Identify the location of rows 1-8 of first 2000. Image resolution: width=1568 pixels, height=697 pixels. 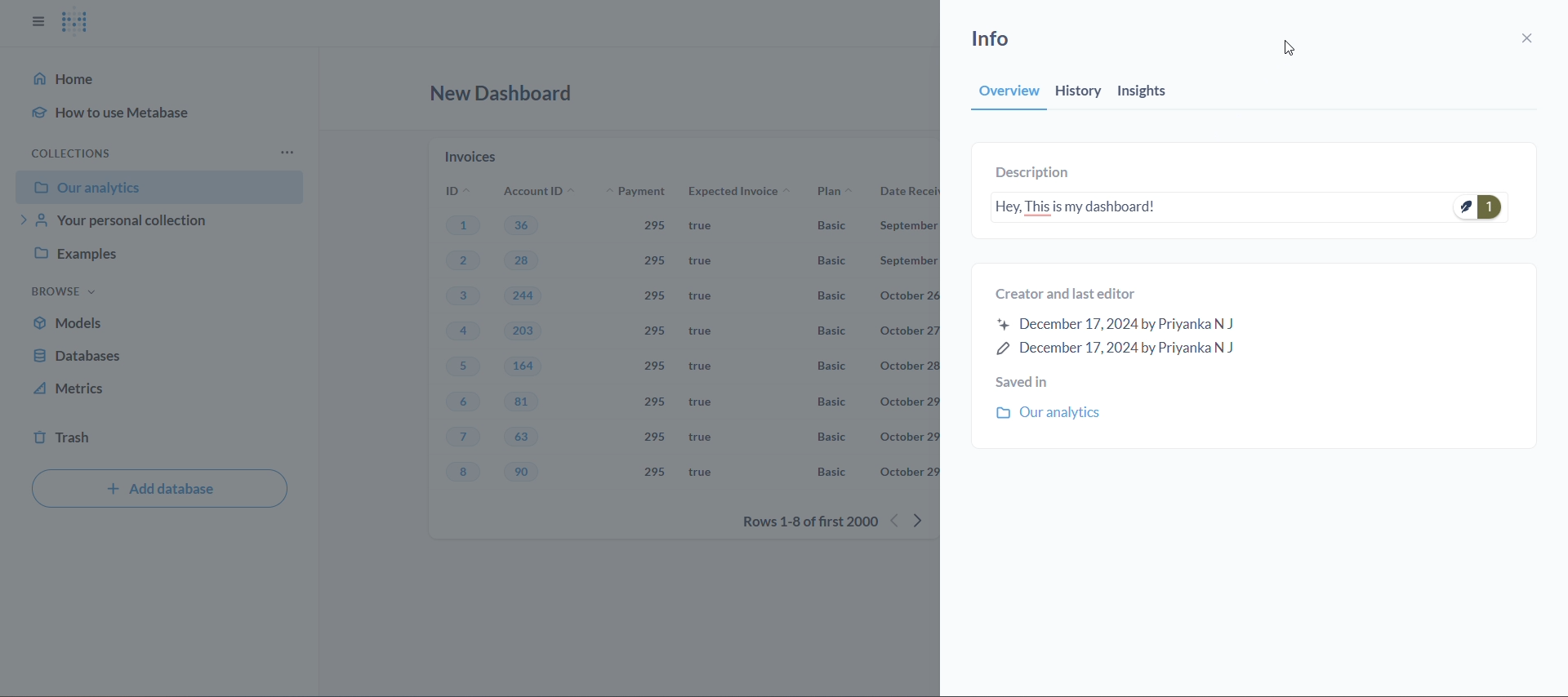
(807, 522).